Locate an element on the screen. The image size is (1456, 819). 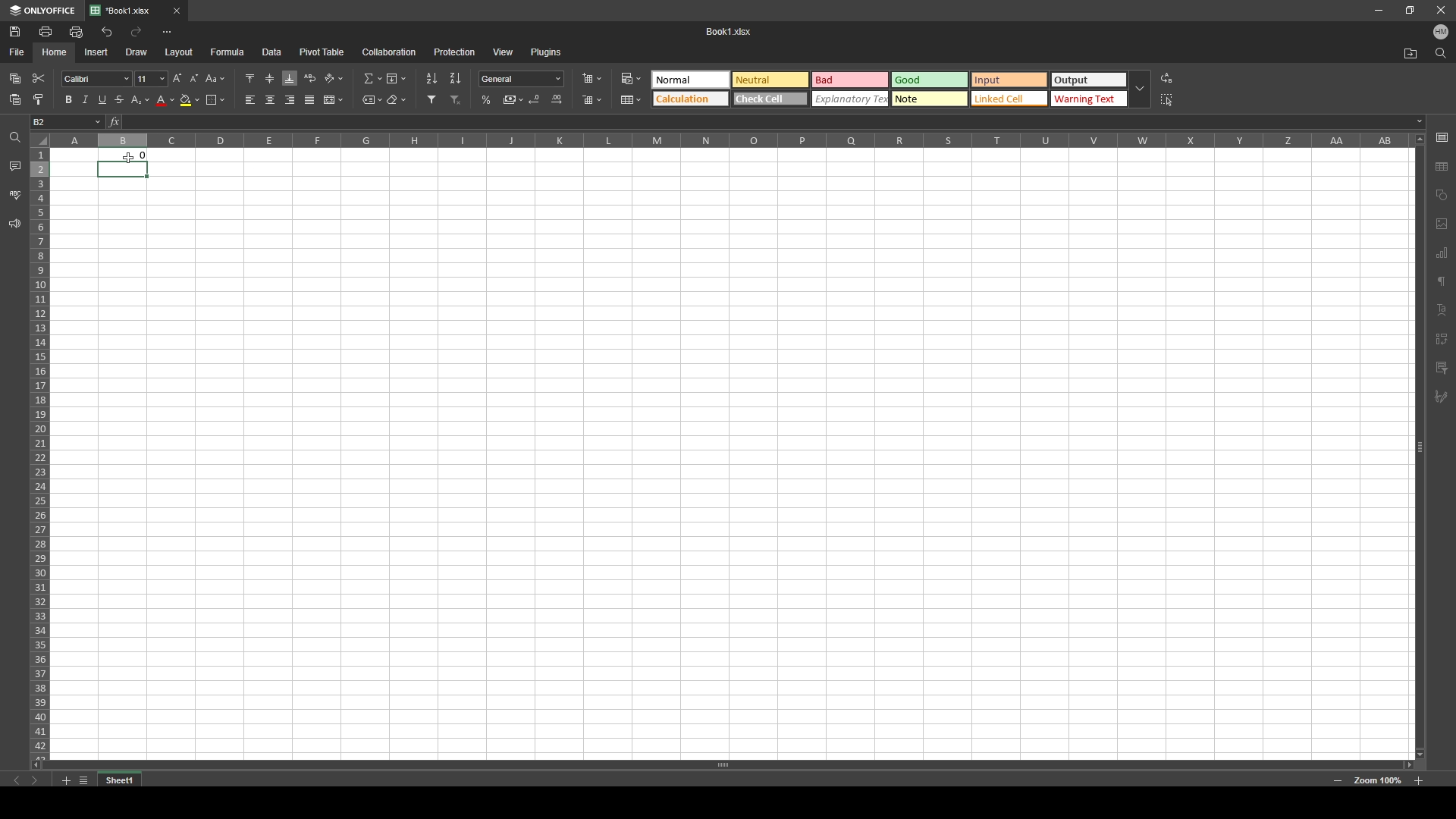
sort ascending is located at coordinates (432, 79).